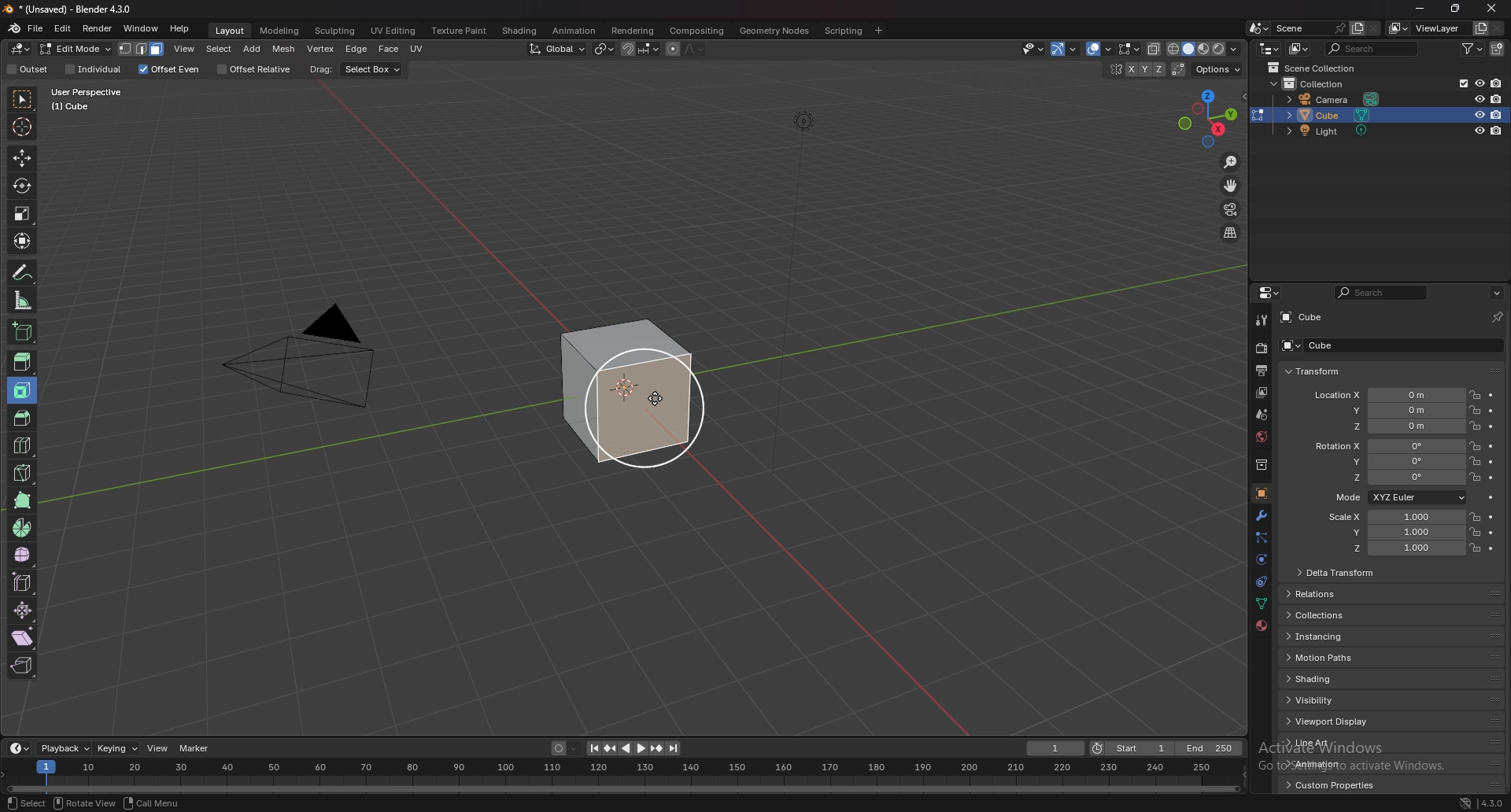 Image resolution: width=1511 pixels, height=812 pixels. Describe the element at coordinates (1262, 515) in the screenshot. I see `modifier` at that location.